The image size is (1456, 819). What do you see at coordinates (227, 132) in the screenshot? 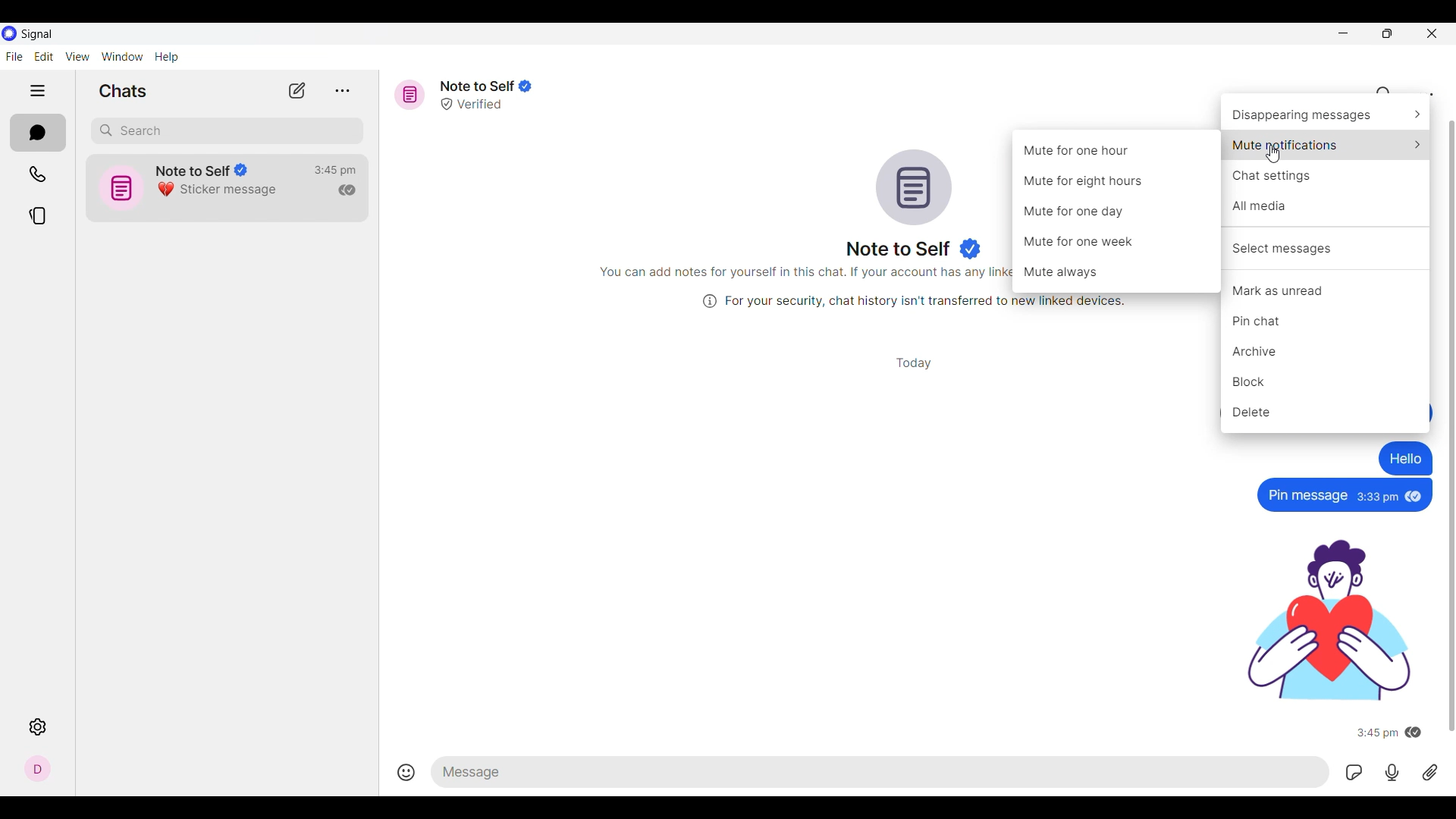
I see `Search chat` at bounding box center [227, 132].